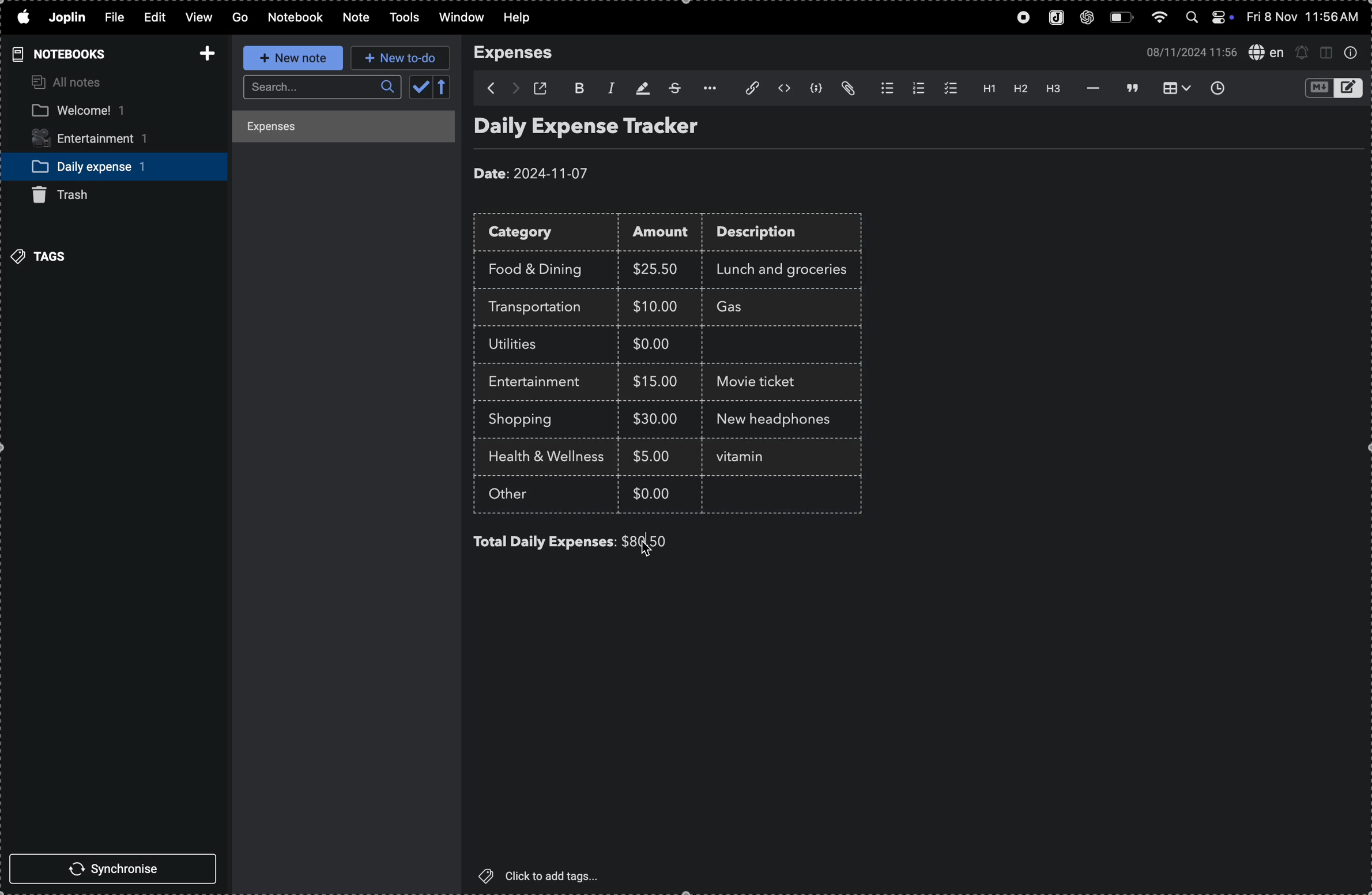 The width and height of the screenshot is (1372, 895). Describe the element at coordinates (514, 89) in the screenshot. I see `forward` at that location.